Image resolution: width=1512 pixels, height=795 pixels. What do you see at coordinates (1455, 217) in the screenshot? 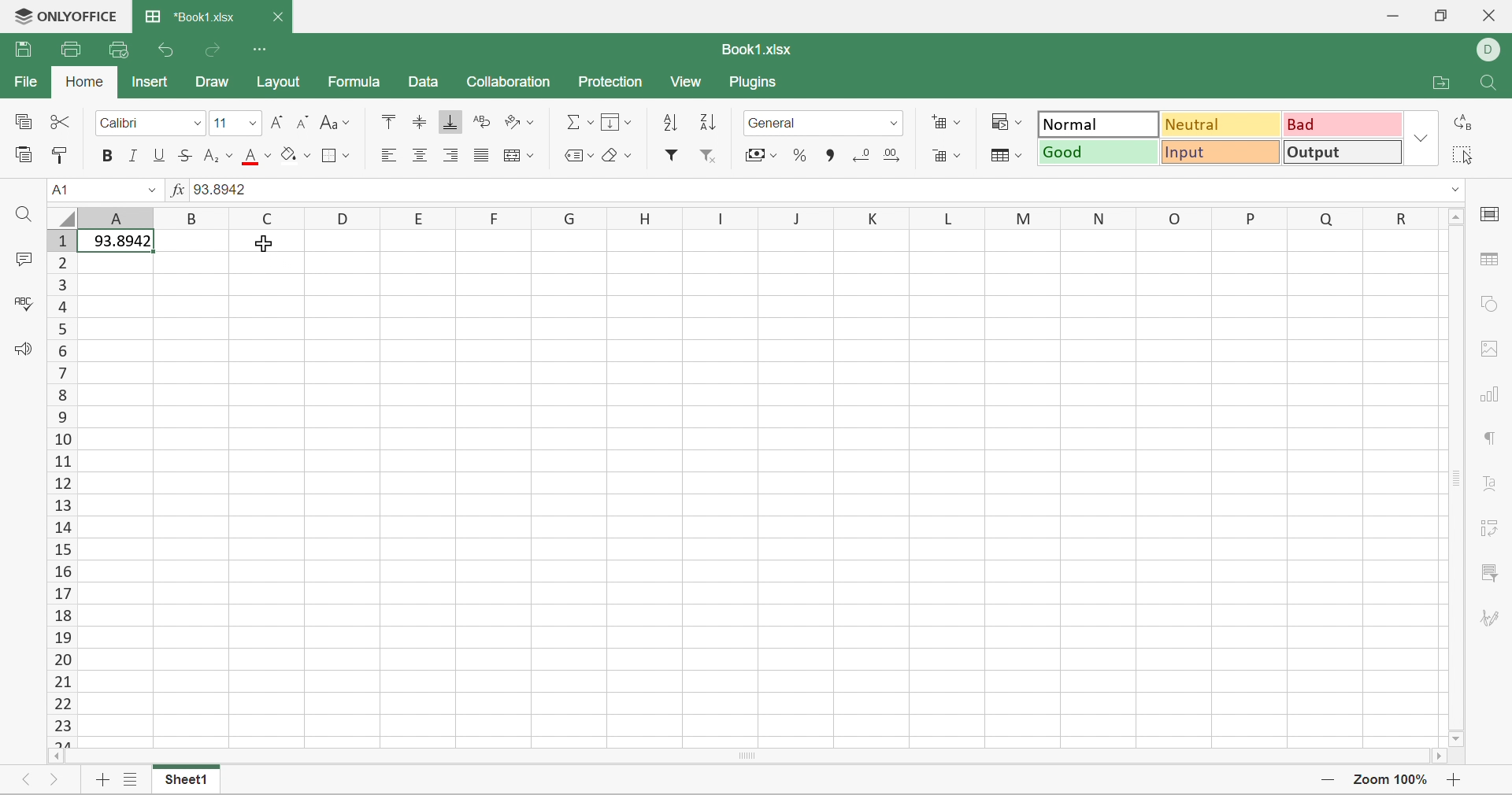
I see `Scroll Up` at bounding box center [1455, 217].